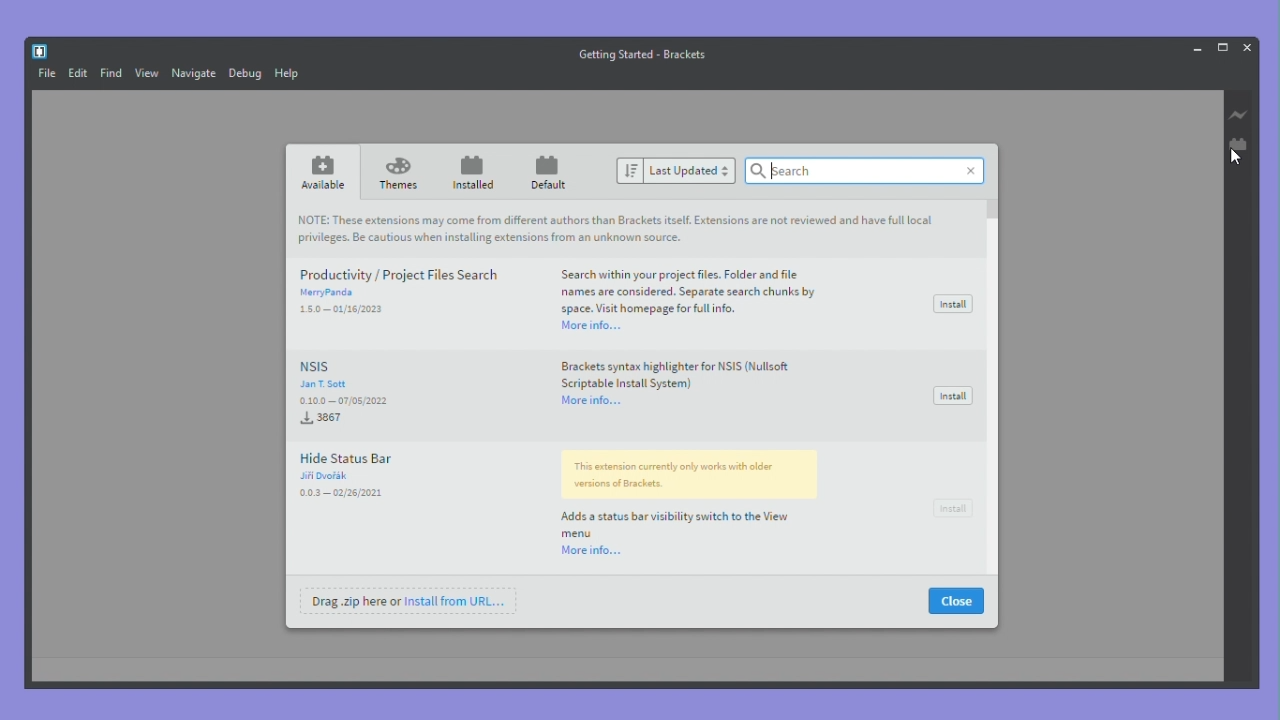 The height and width of the screenshot is (720, 1280). I want to click on Close, so click(955, 602).